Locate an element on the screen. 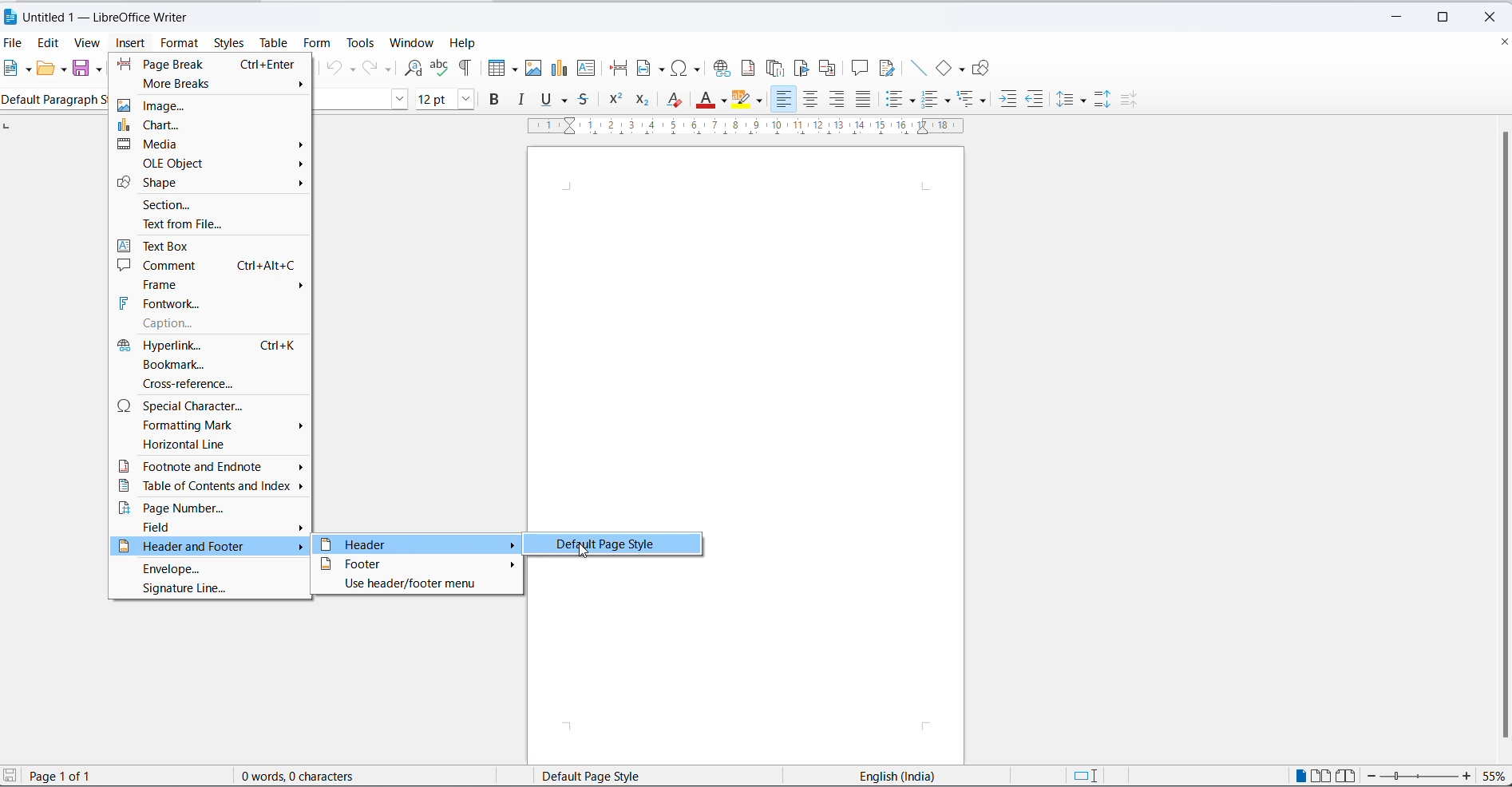  default page style is located at coordinates (611, 544).